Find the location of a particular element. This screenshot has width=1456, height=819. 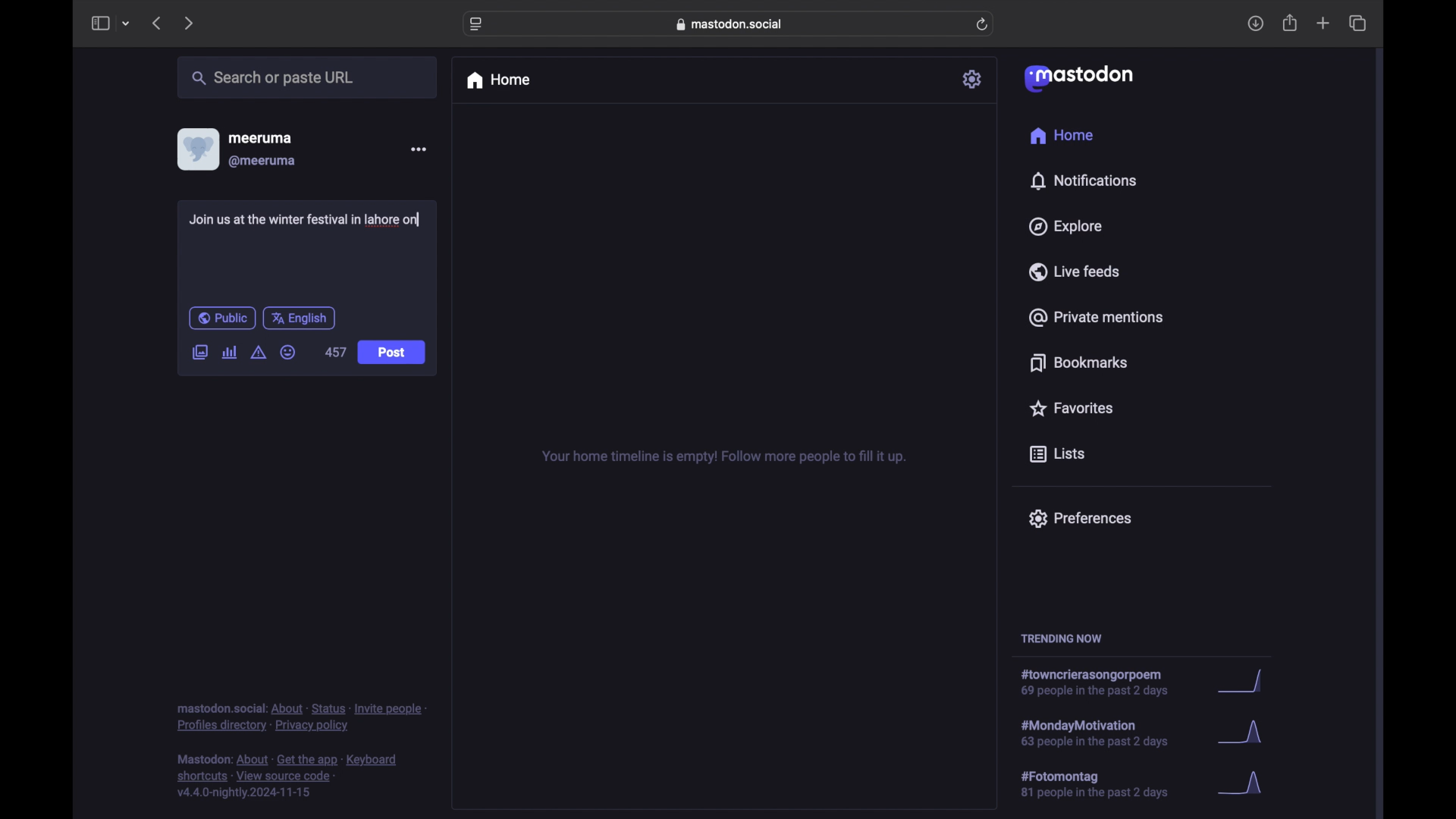

new tab is located at coordinates (1323, 23).